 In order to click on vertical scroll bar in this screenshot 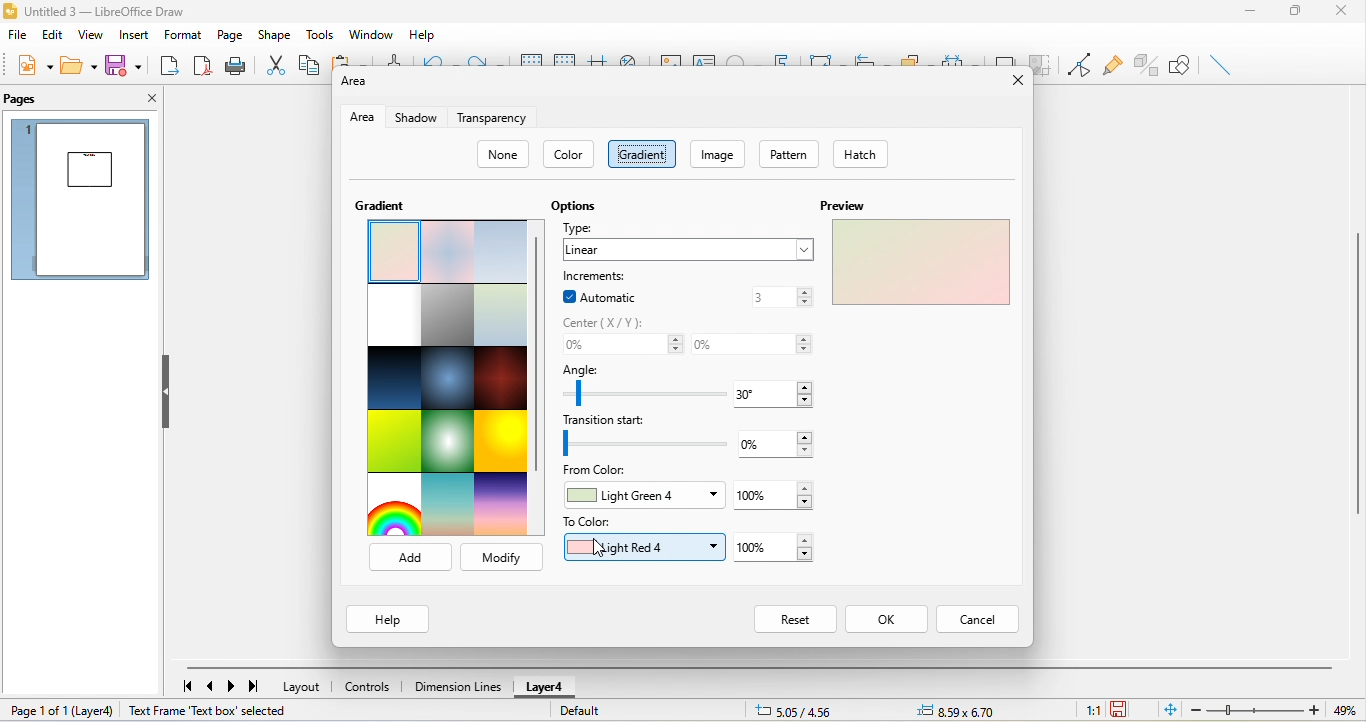, I will do `click(1357, 372)`.